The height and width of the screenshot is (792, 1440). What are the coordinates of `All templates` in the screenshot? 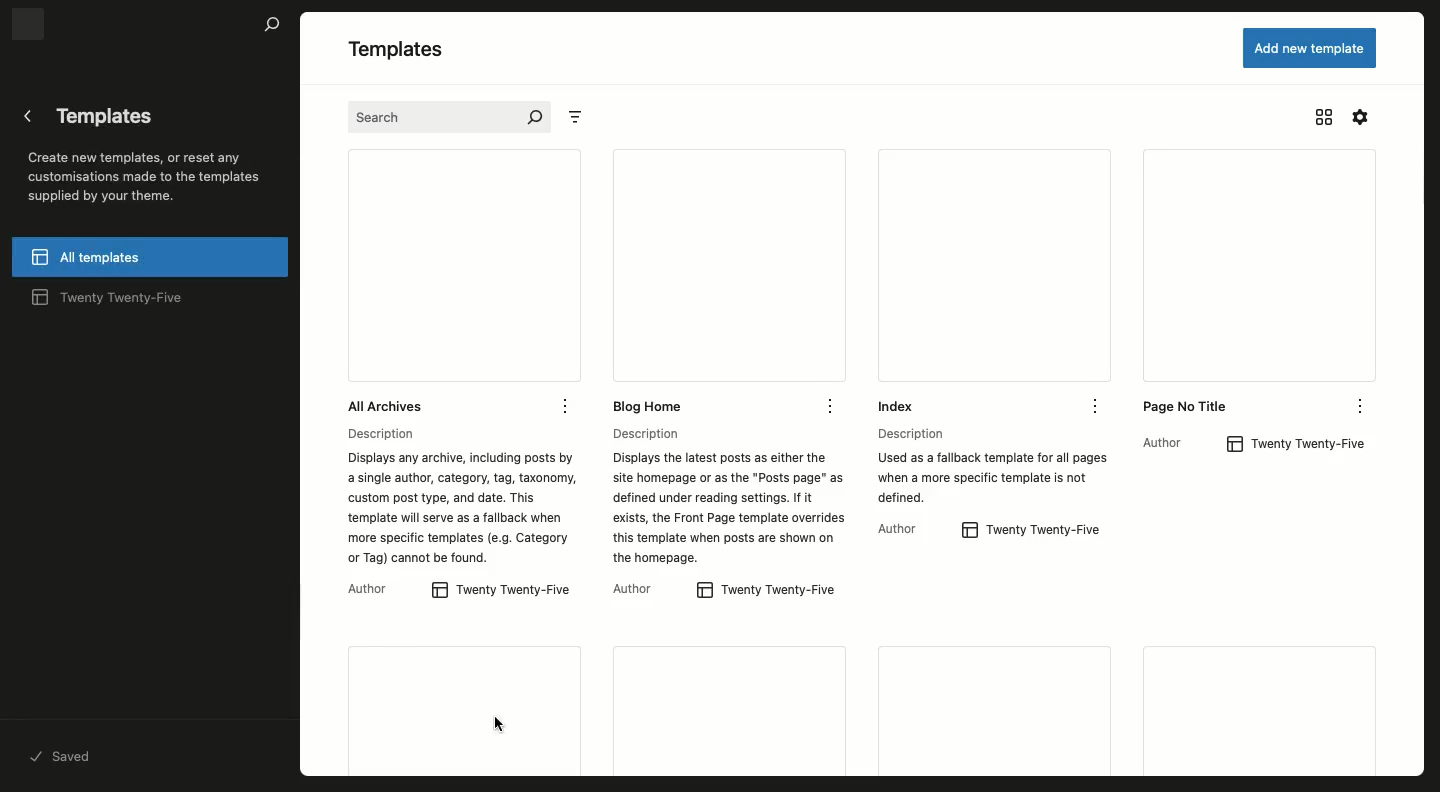 It's located at (152, 257).